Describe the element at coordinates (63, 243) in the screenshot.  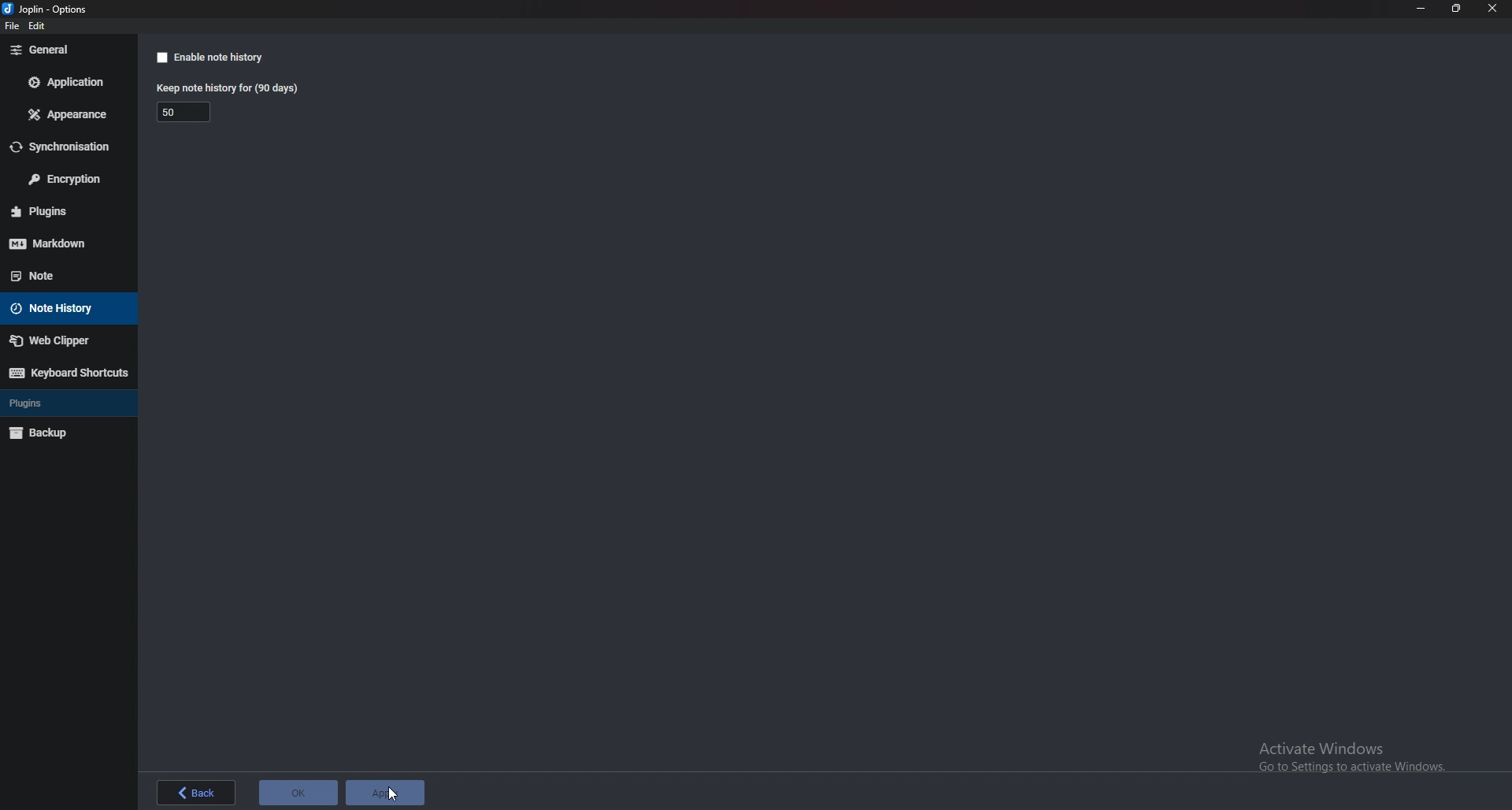
I see `mark down` at that location.